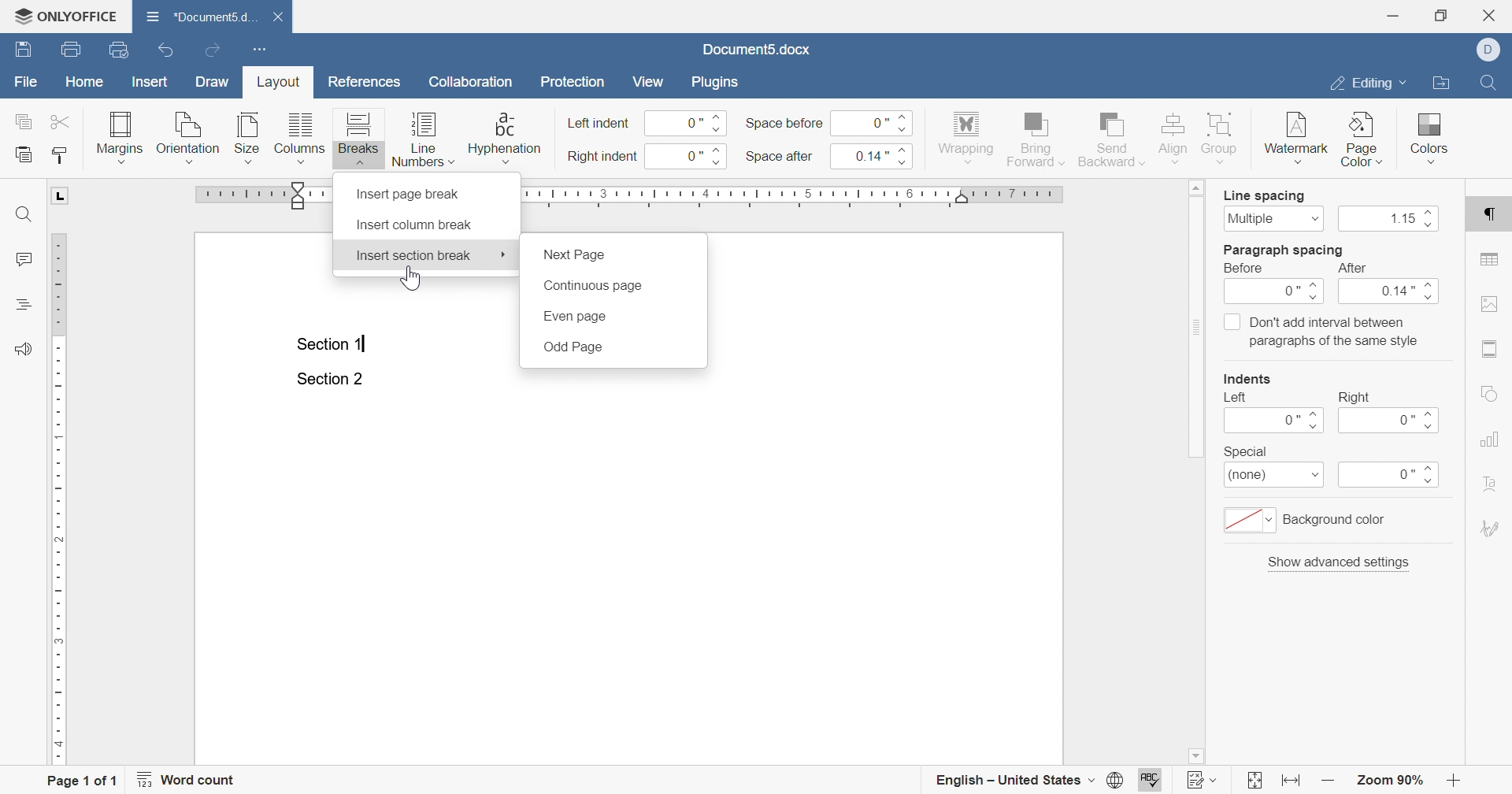  Describe the element at coordinates (1354, 397) in the screenshot. I see `right` at that location.